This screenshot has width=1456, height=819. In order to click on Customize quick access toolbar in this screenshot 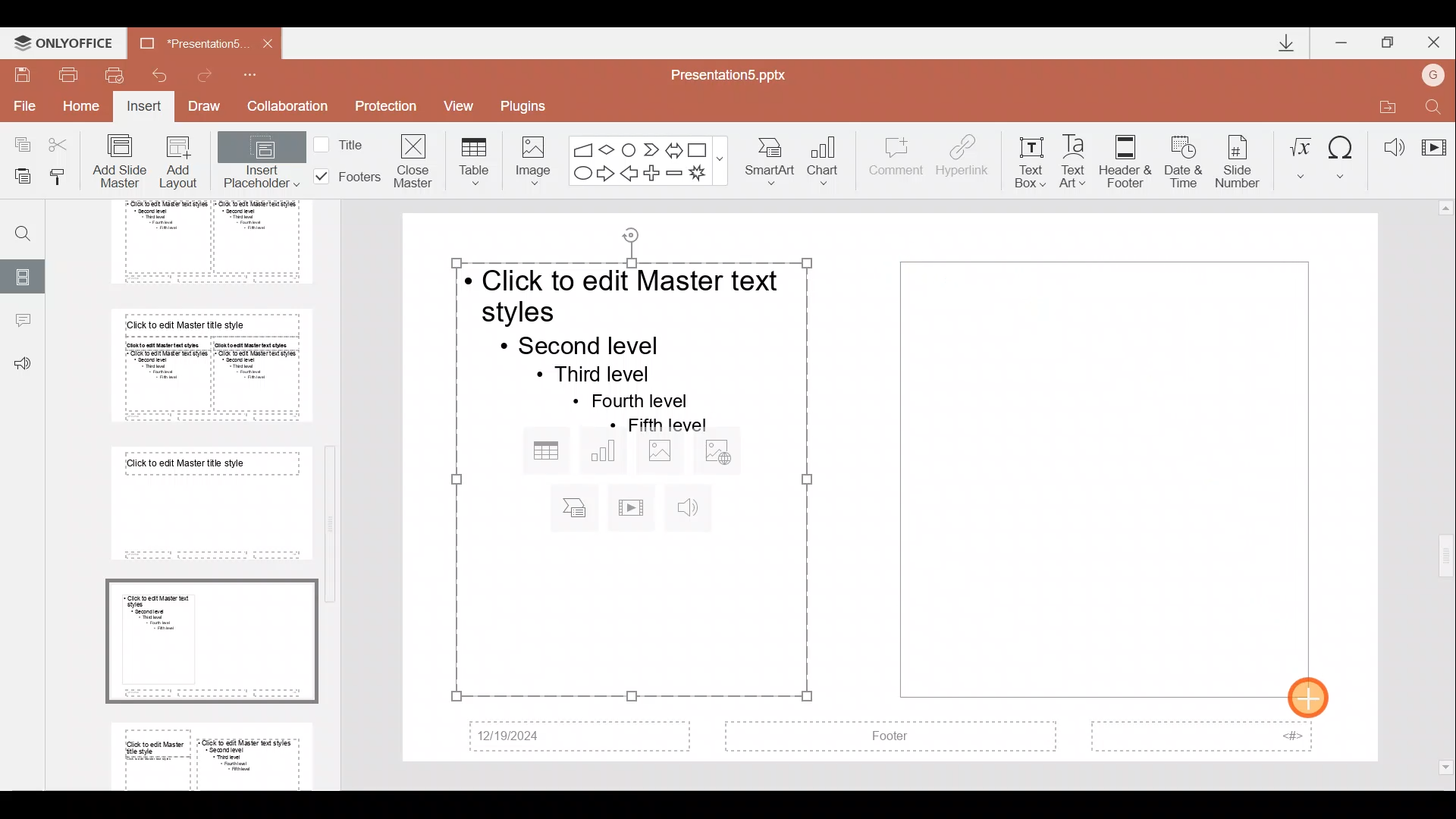, I will do `click(260, 74)`.